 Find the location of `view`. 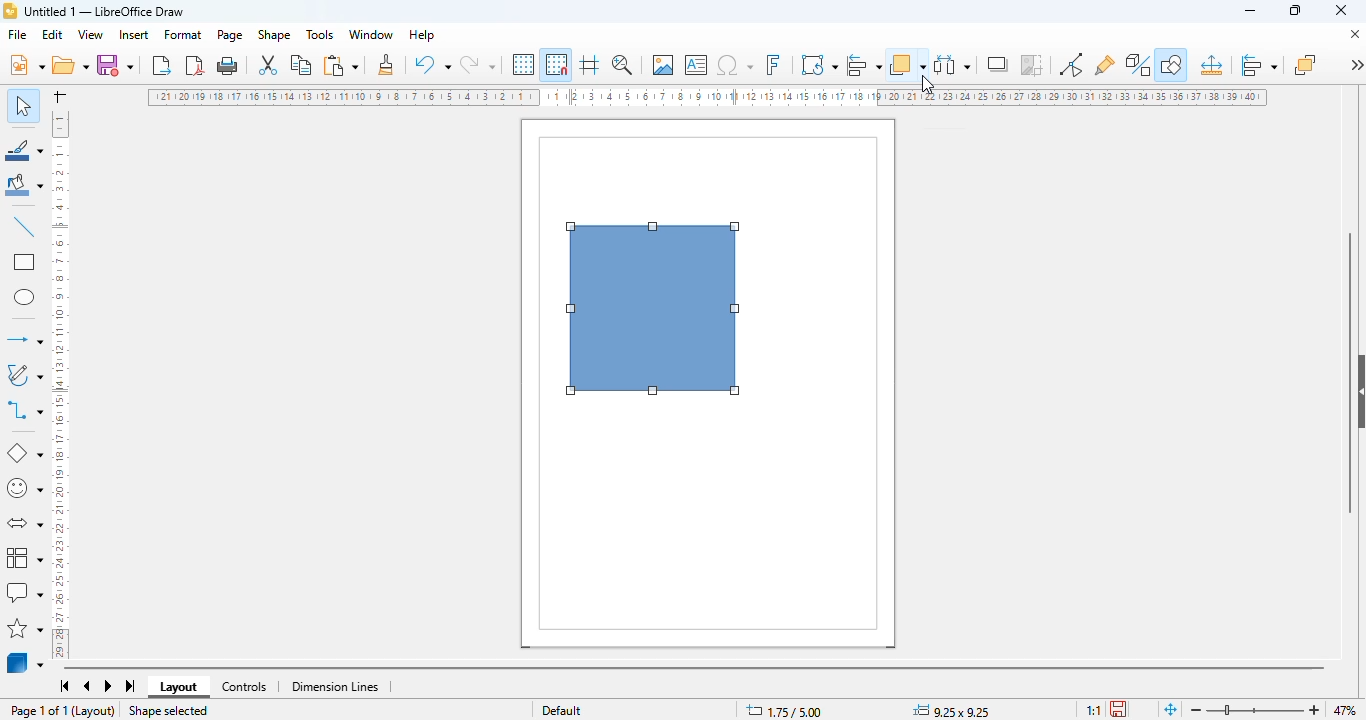

view is located at coordinates (92, 35).